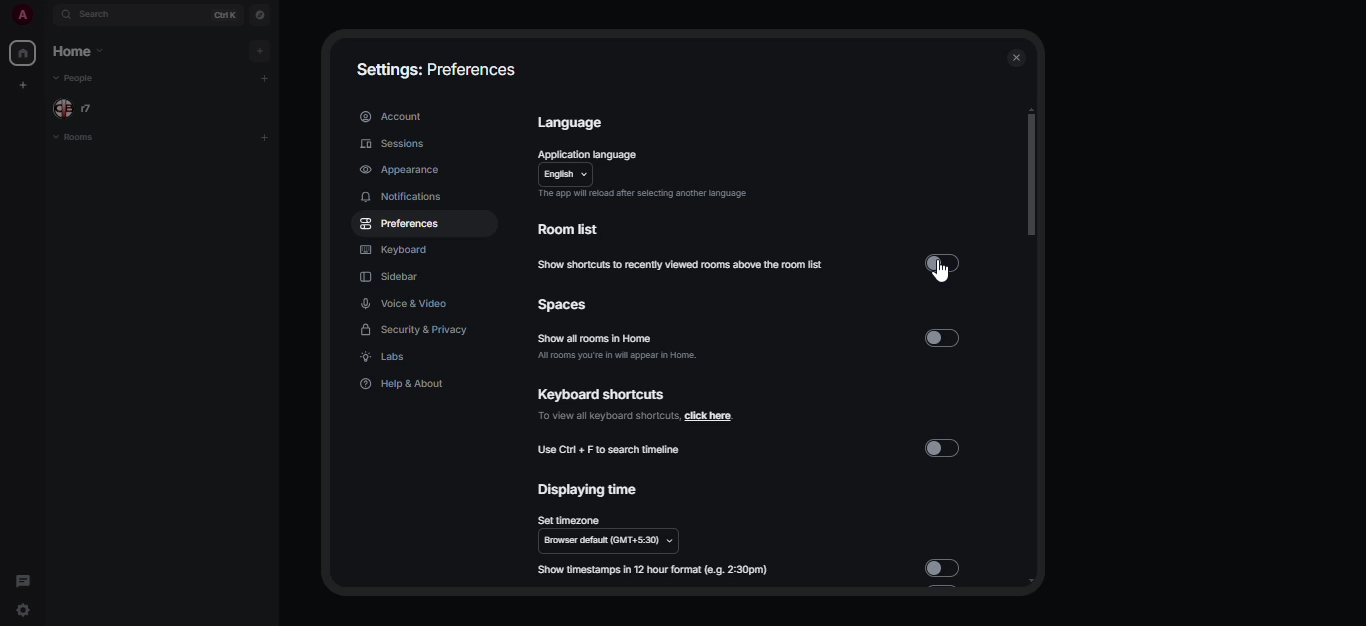 The width and height of the screenshot is (1366, 626). Describe the element at coordinates (84, 51) in the screenshot. I see `home` at that location.